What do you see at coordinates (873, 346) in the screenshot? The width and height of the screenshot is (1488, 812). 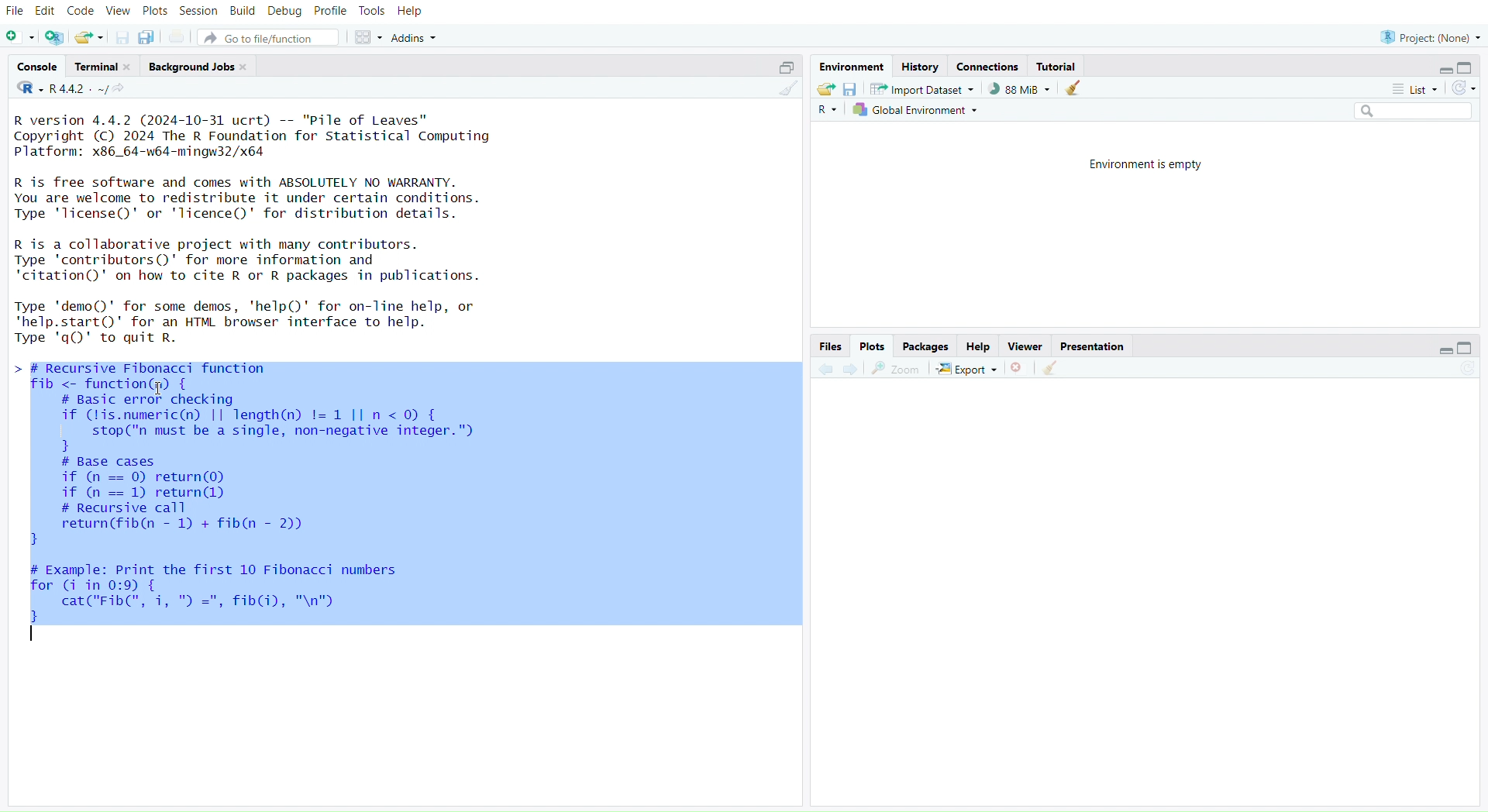 I see `plots` at bounding box center [873, 346].